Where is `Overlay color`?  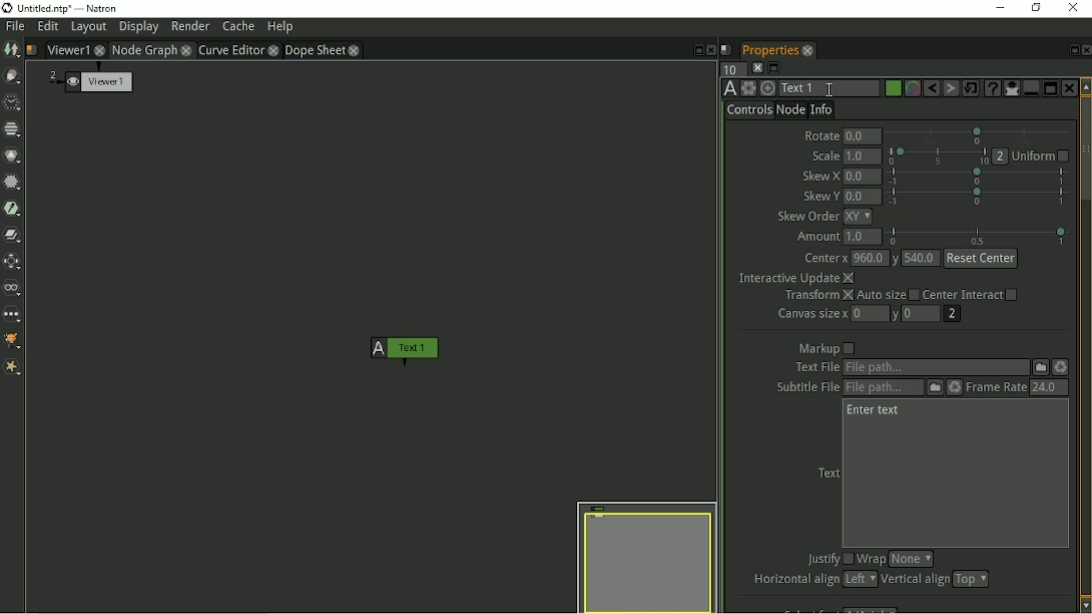
Overlay color is located at coordinates (912, 89).